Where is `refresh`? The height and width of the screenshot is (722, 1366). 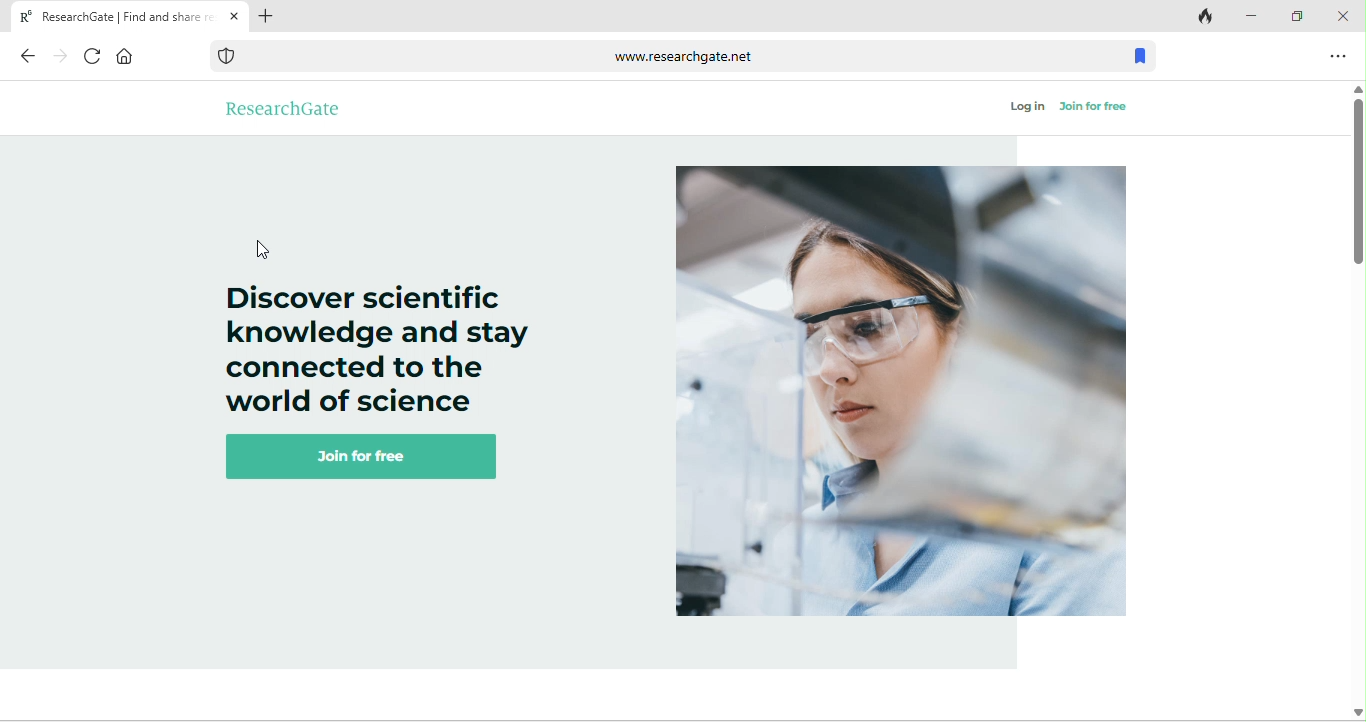
refresh is located at coordinates (87, 56).